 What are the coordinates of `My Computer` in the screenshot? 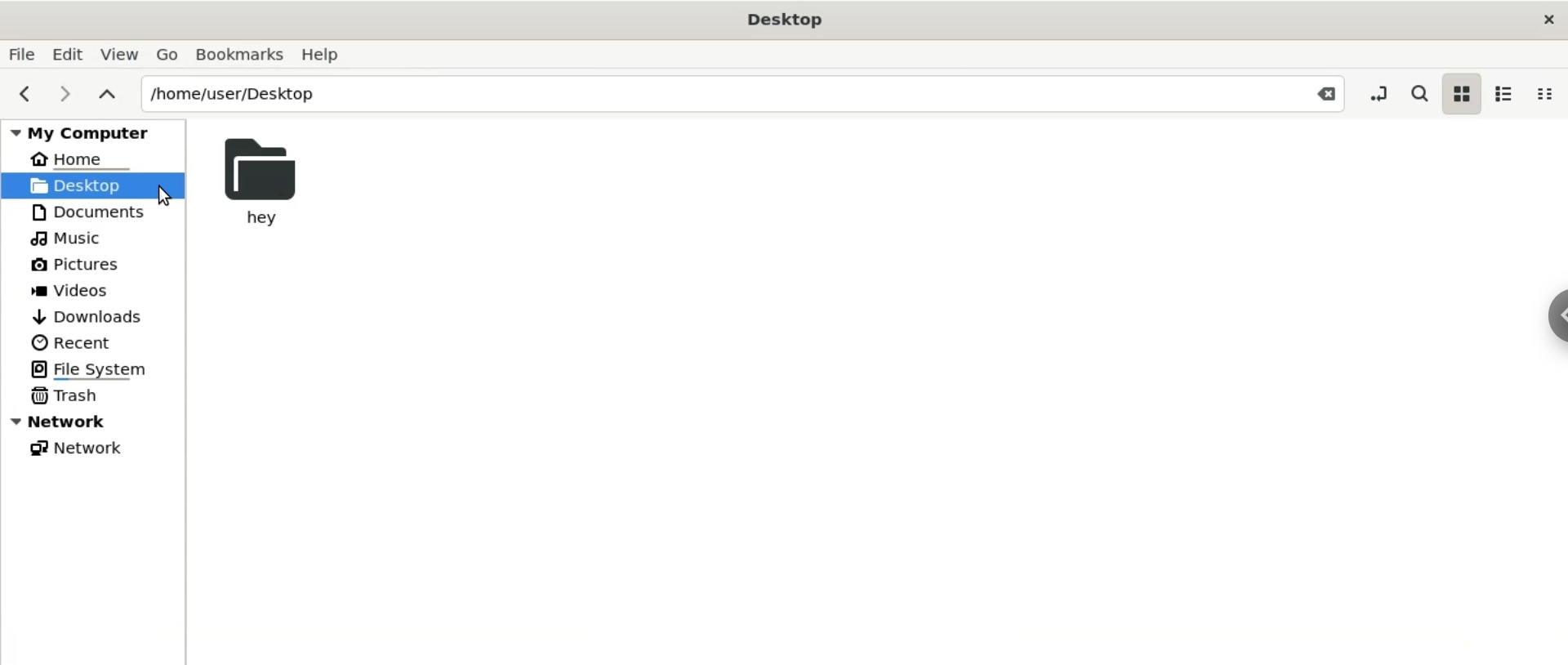 It's located at (86, 133).